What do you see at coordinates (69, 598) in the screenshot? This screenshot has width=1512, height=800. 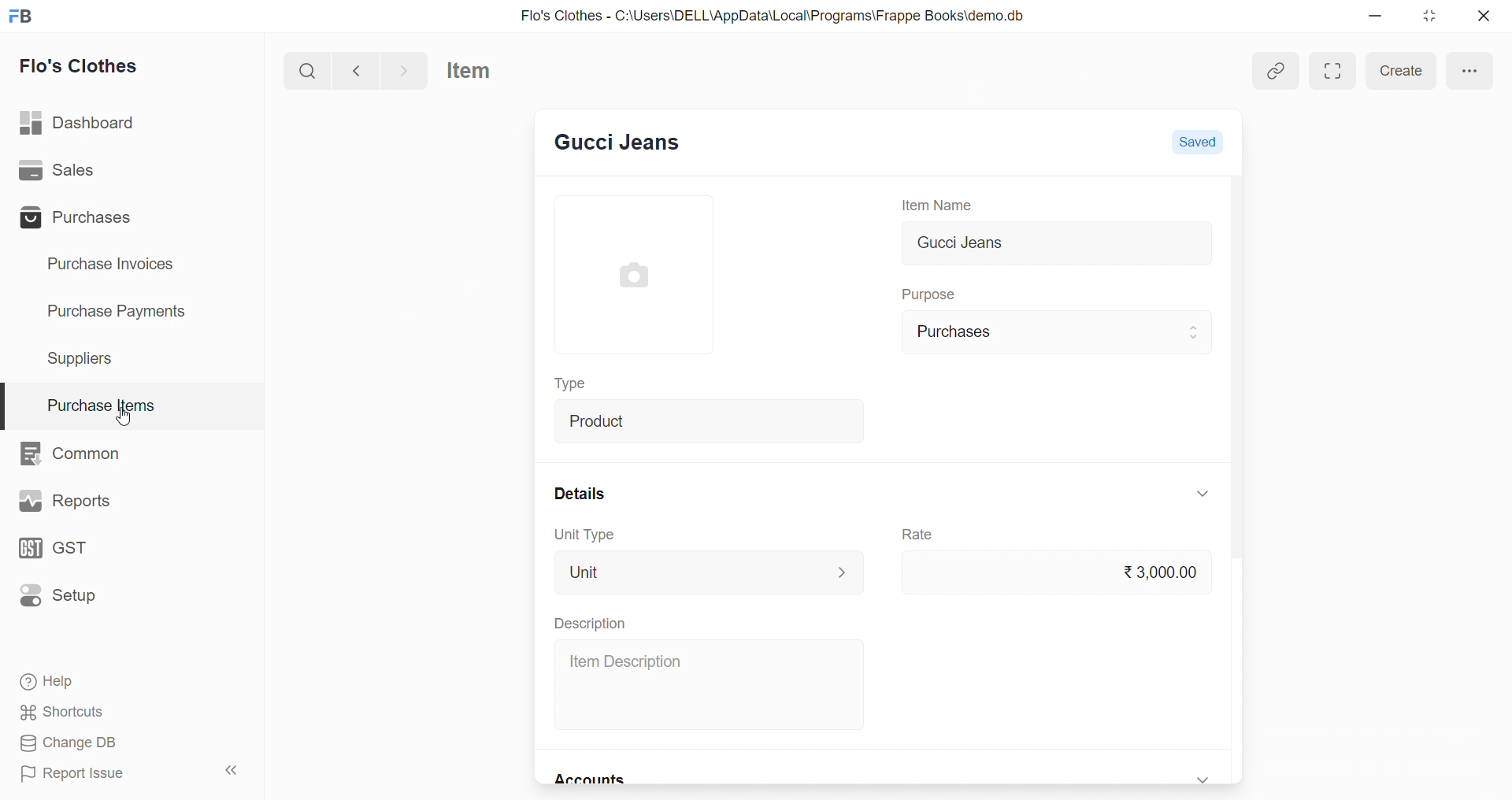 I see `Setup` at bounding box center [69, 598].